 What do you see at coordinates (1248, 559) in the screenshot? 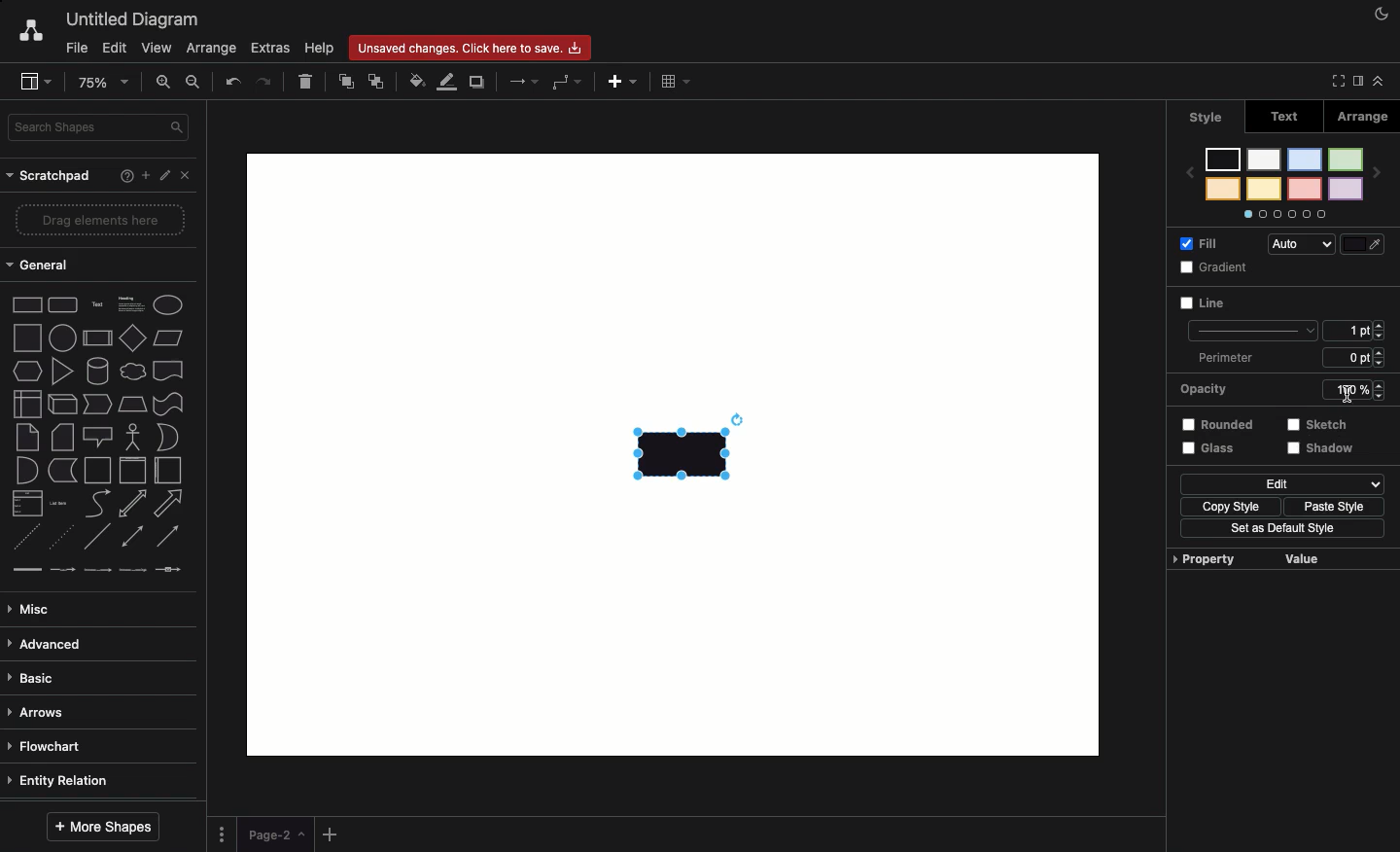
I see `Property value` at bounding box center [1248, 559].